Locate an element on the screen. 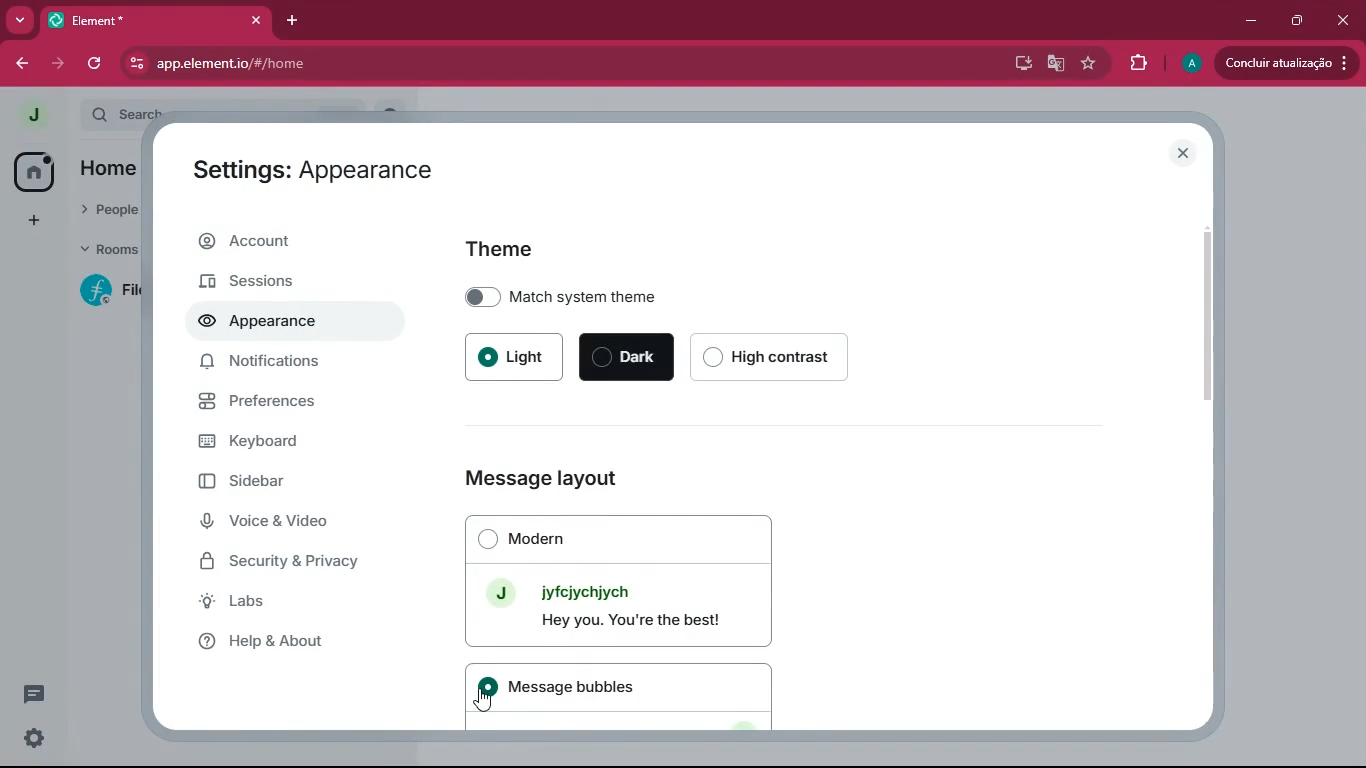 The width and height of the screenshot is (1366, 768). quick settings is located at coordinates (32, 738).